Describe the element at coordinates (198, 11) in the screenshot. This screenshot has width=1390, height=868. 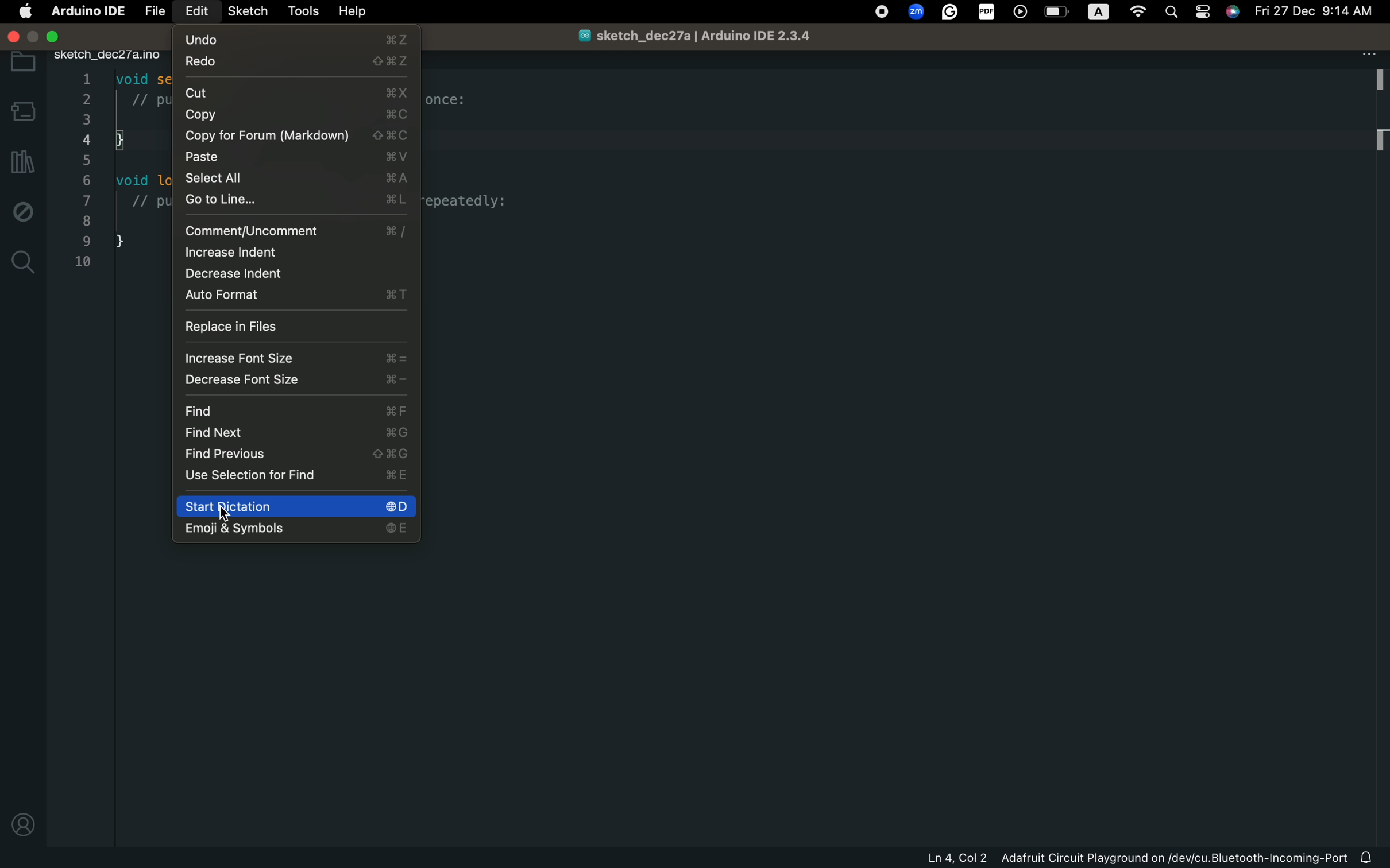
I see `edit` at that location.